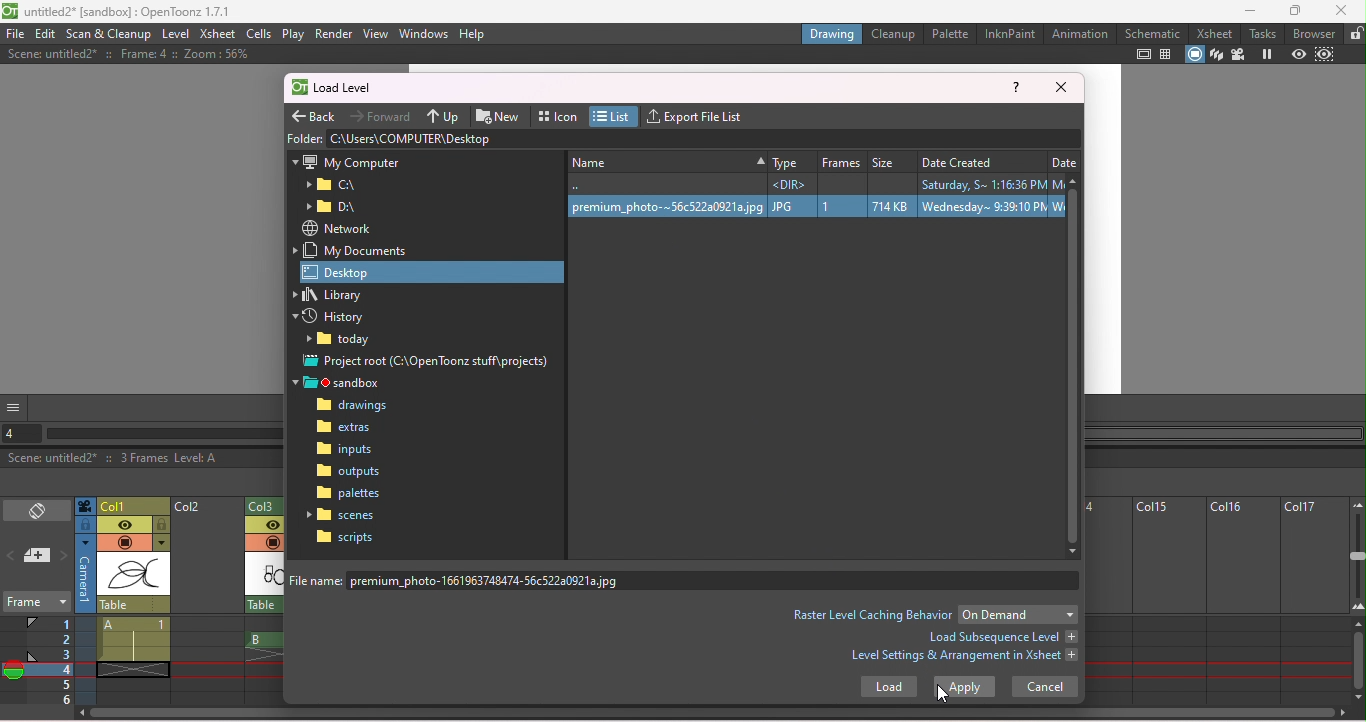  I want to click on Date created, so click(980, 159).